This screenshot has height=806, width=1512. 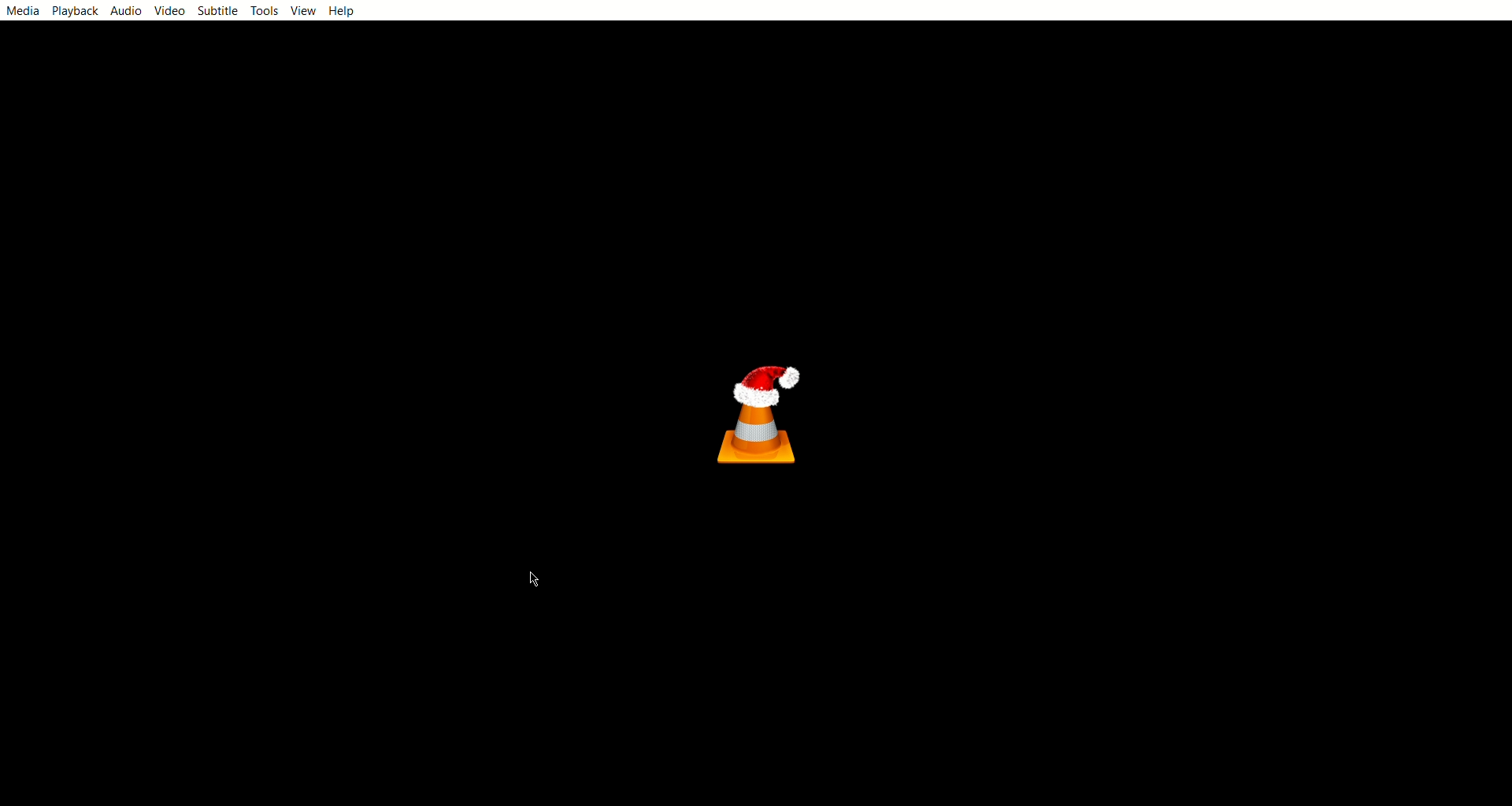 What do you see at coordinates (22, 11) in the screenshot?
I see `media` at bounding box center [22, 11].